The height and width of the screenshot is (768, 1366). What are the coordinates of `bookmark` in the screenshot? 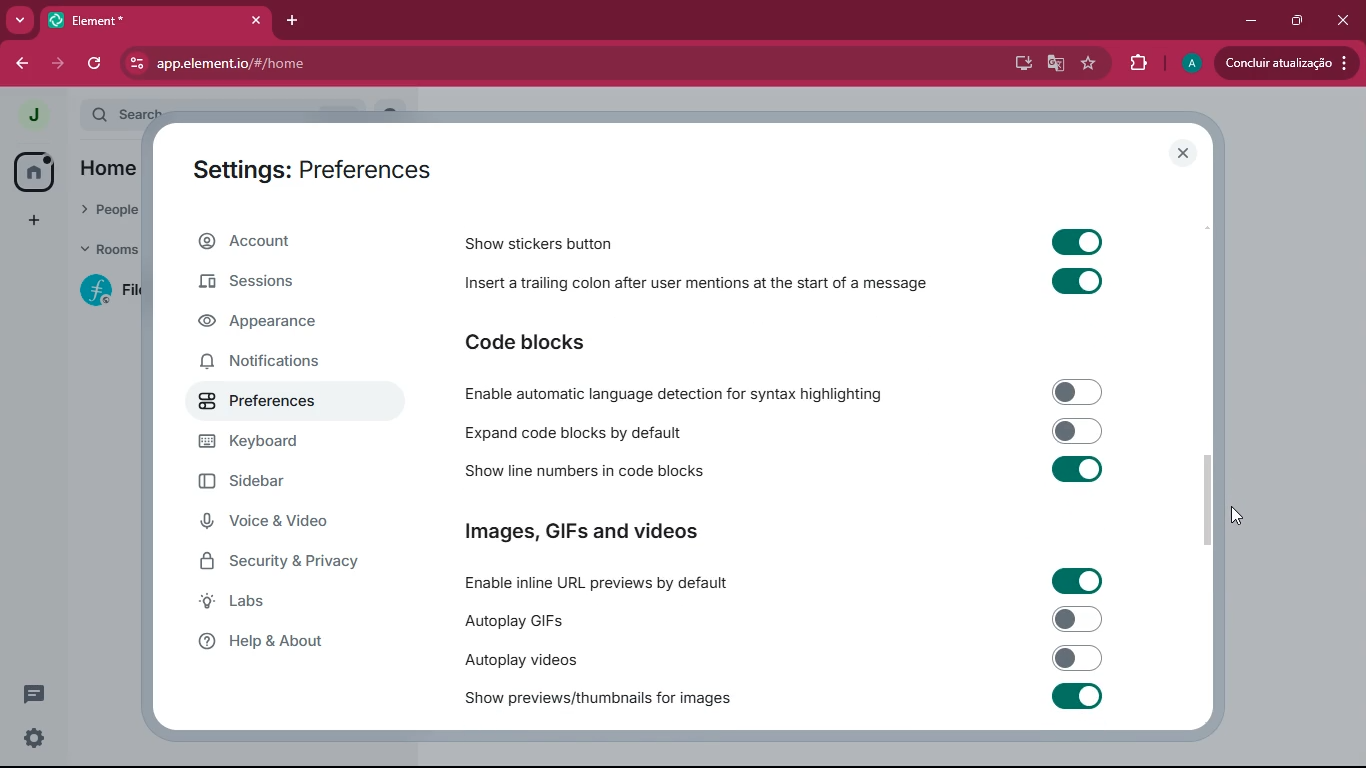 It's located at (1089, 65).